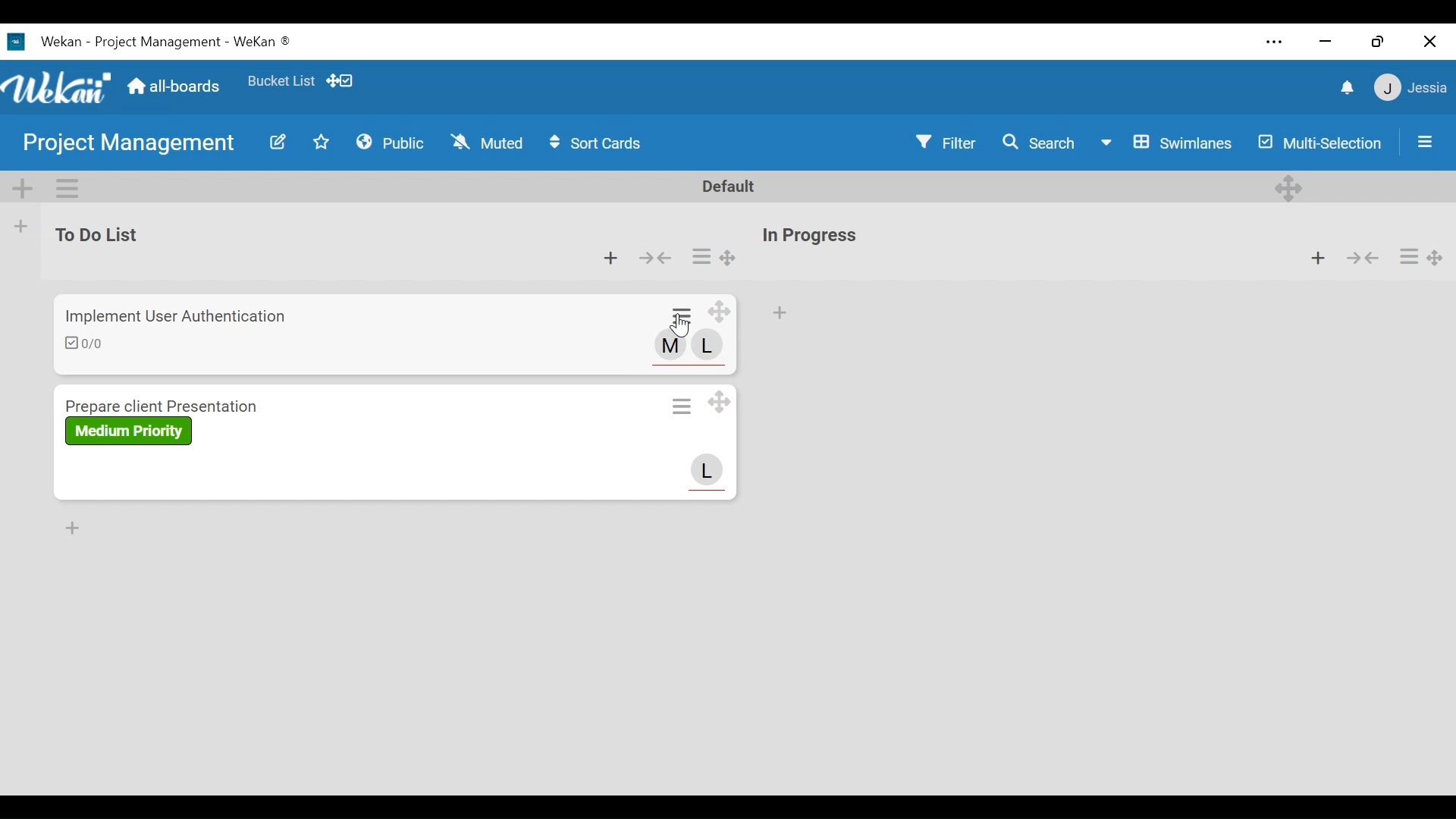  Describe the element at coordinates (1323, 41) in the screenshot. I see `minimize` at that location.